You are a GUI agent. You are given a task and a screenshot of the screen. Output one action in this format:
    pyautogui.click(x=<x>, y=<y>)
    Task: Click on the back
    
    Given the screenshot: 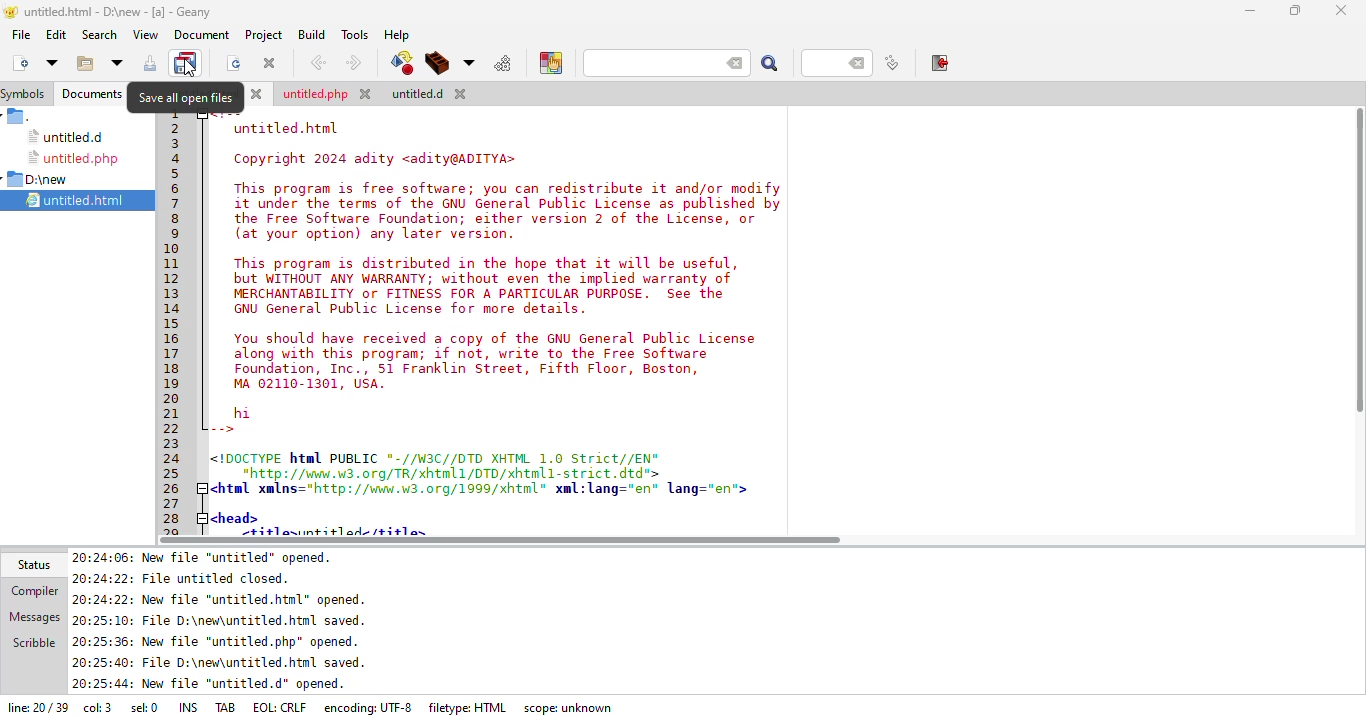 What is the action you would take?
    pyautogui.click(x=734, y=63)
    